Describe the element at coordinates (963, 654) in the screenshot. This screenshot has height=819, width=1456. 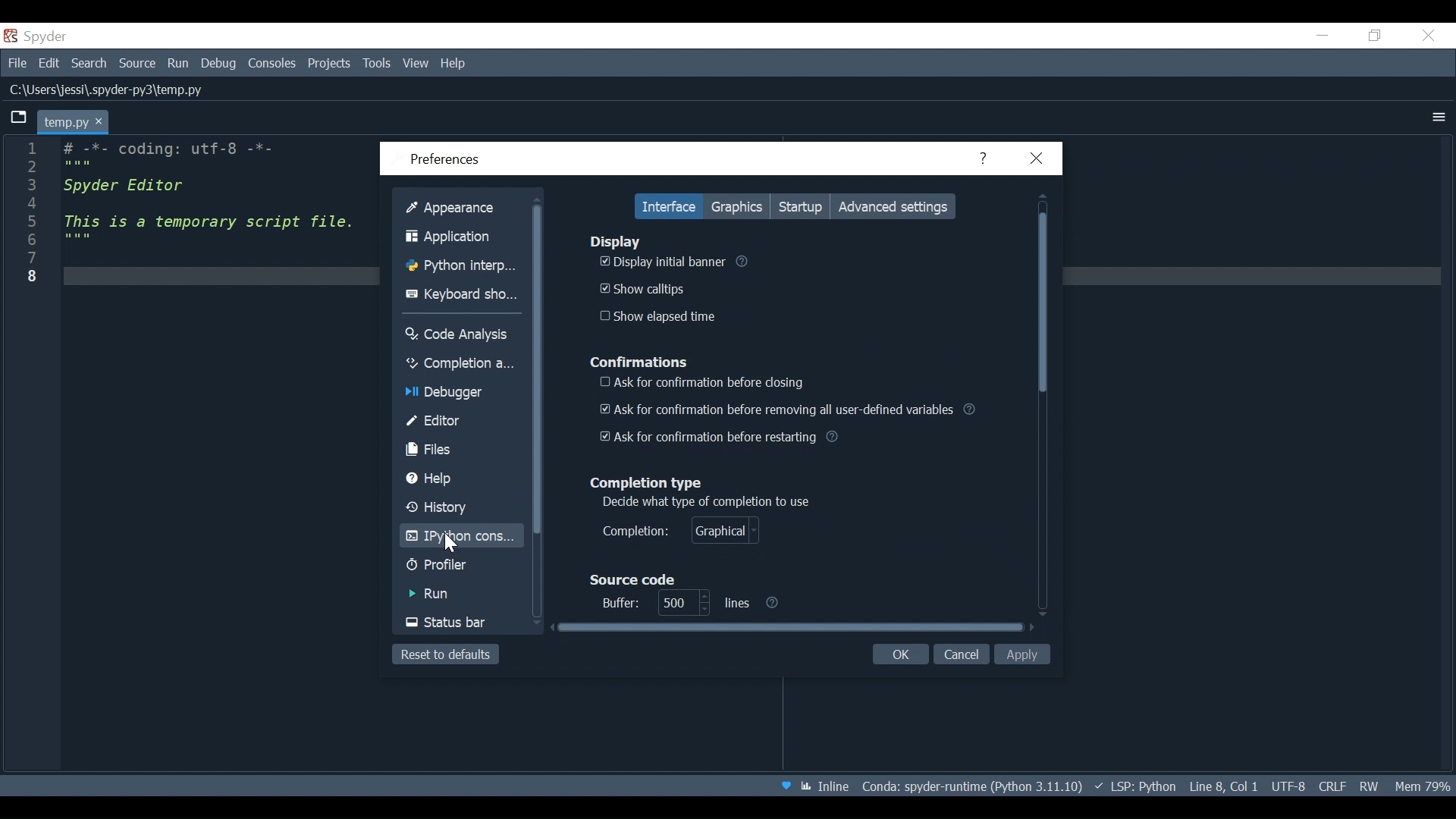
I see `Cancel` at that location.